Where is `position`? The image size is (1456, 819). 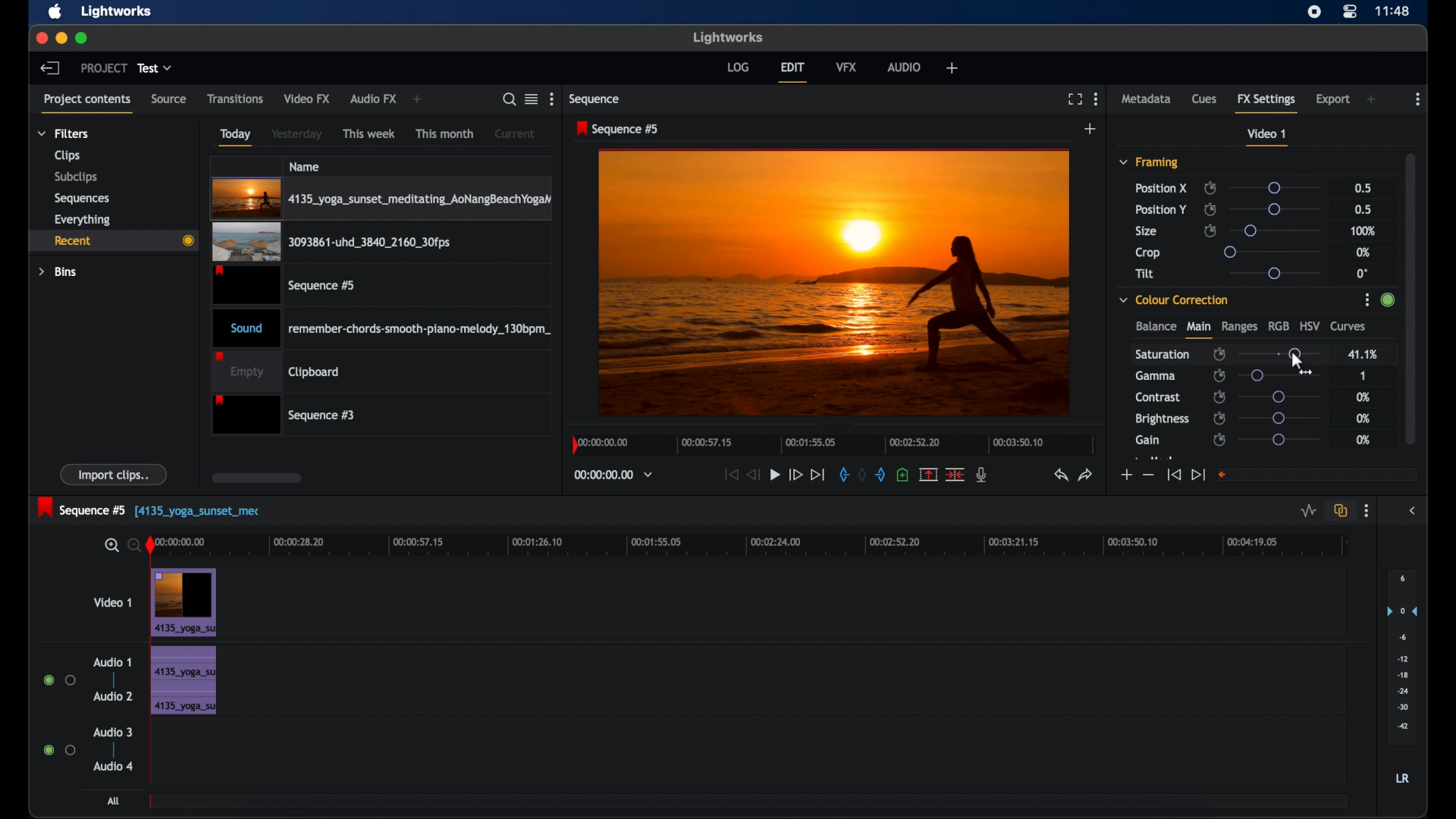 position is located at coordinates (1161, 209).